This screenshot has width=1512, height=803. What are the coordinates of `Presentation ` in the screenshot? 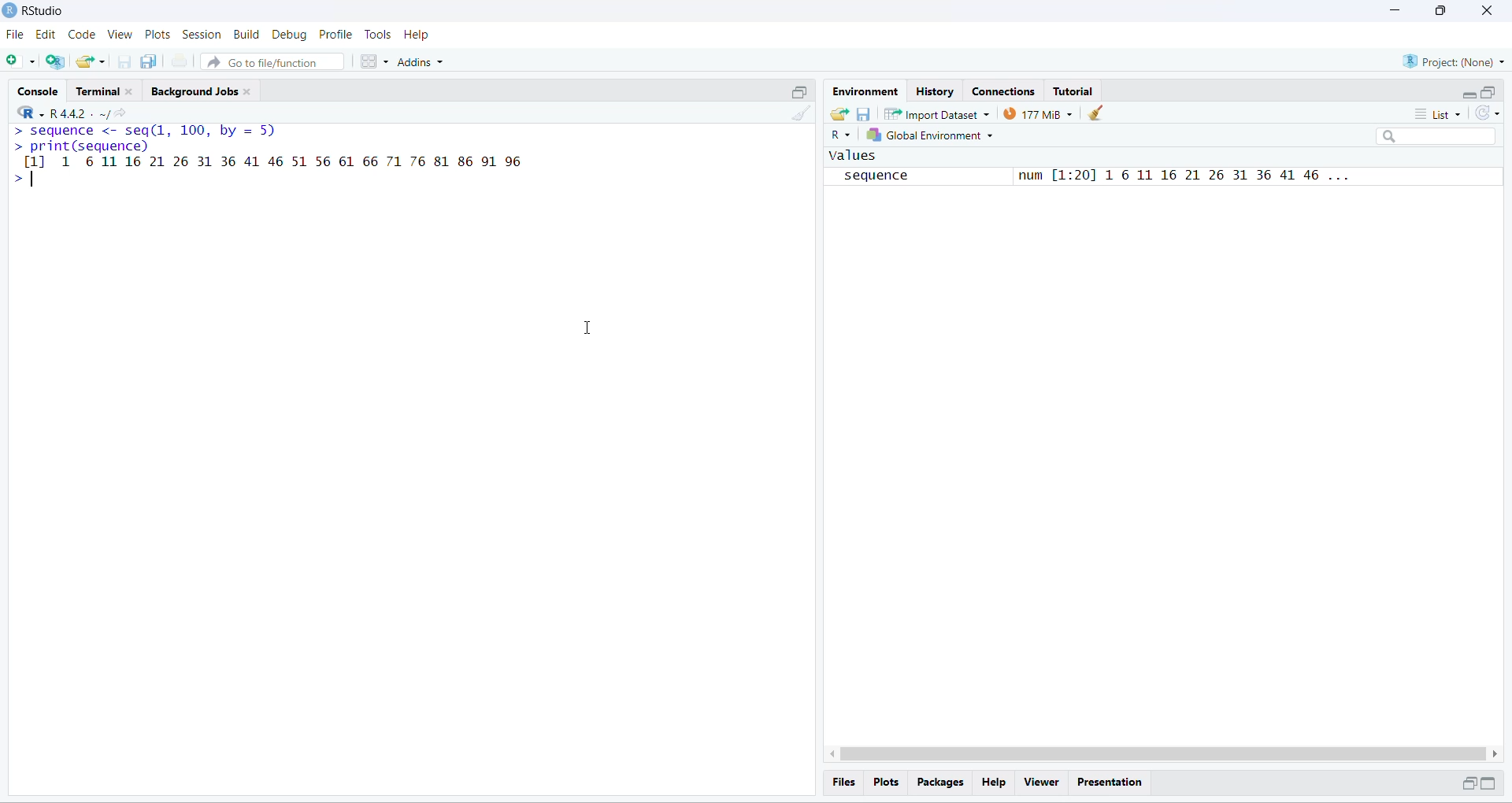 It's located at (1110, 783).